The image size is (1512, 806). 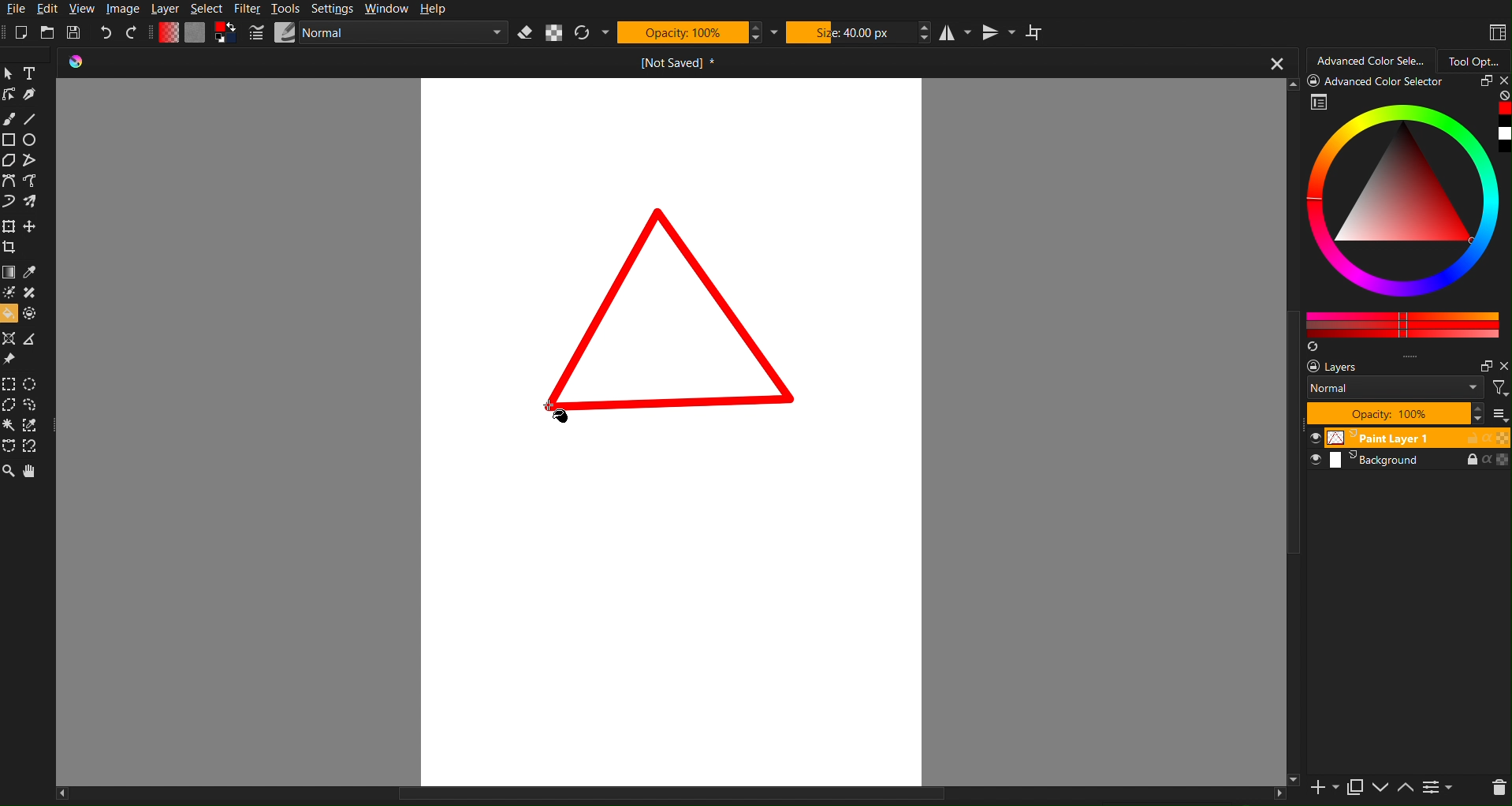 I want to click on assistant tool, so click(x=10, y=338).